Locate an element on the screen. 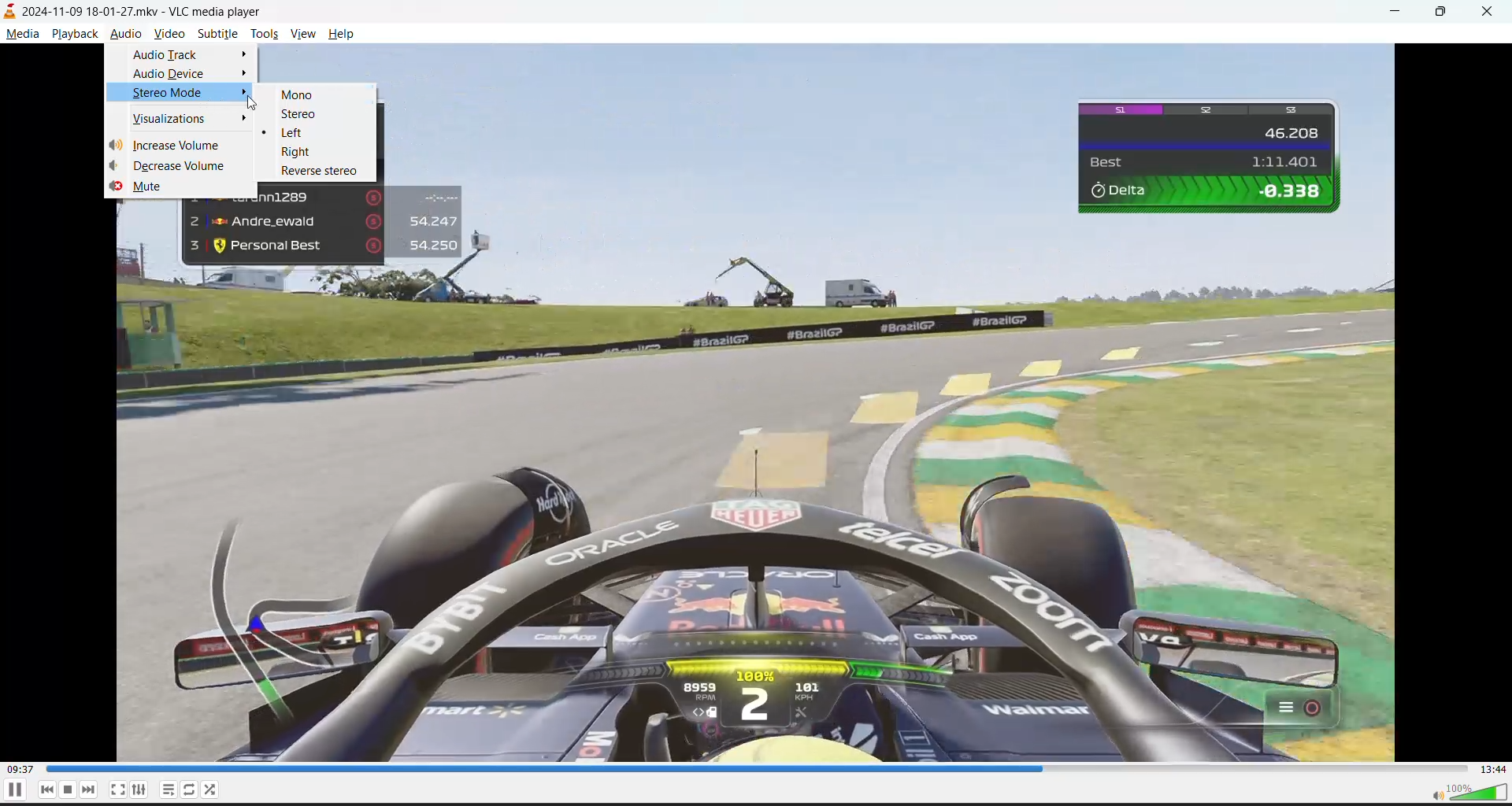  increase volume is located at coordinates (175, 146).